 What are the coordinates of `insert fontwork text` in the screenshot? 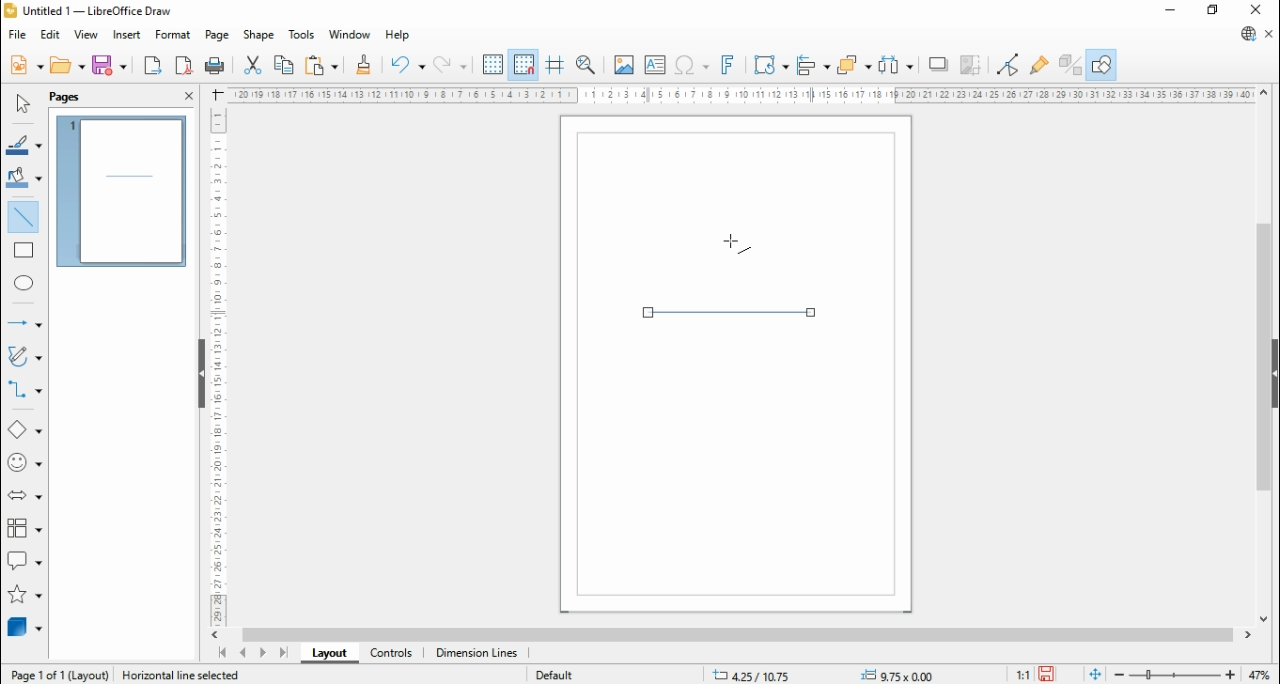 It's located at (729, 66).